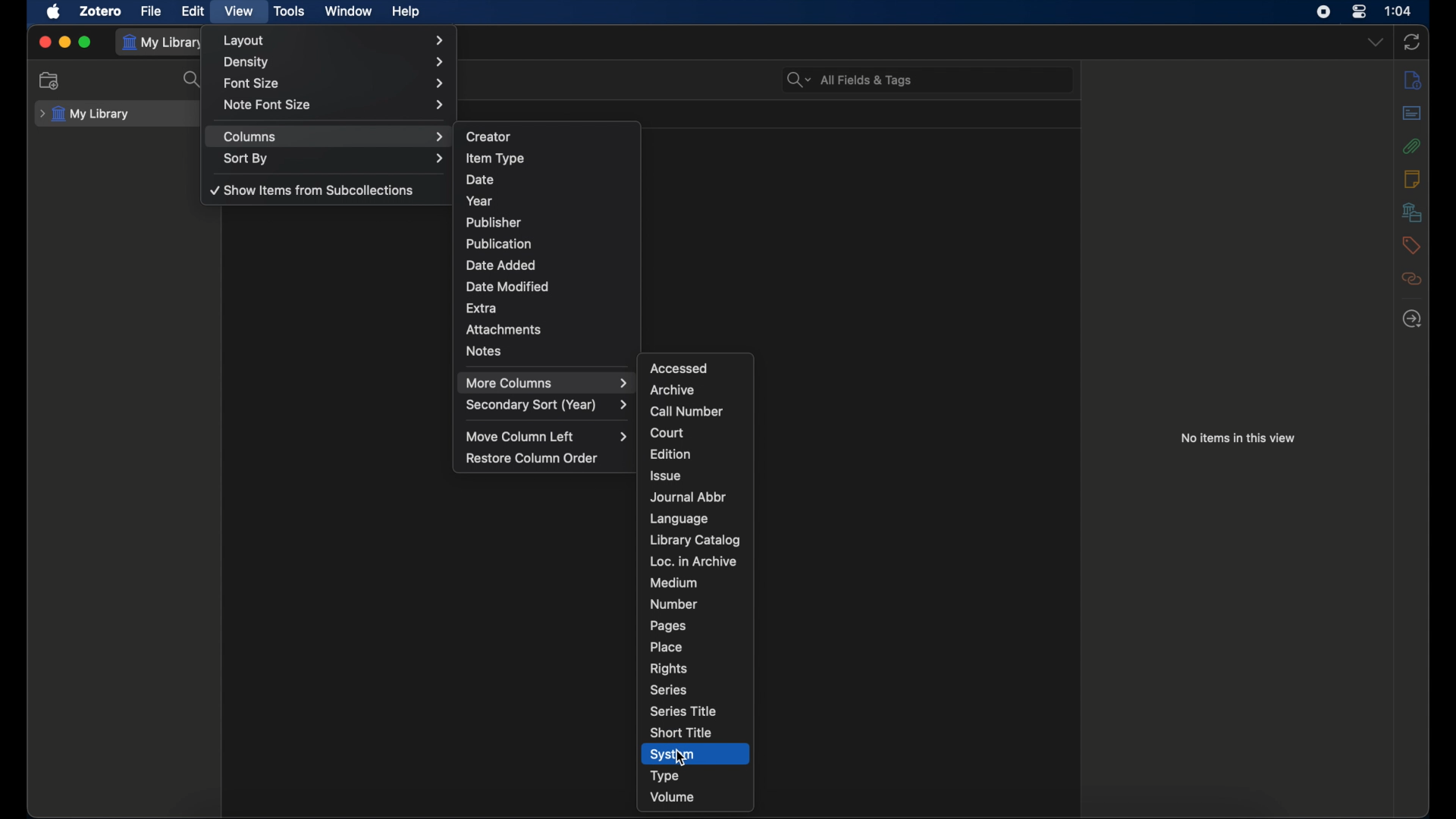 This screenshot has height=819, width=1456. What do you see at coordinates (54, 12) in the screenshot?
I see `apple` at bounding box center [54, 12].